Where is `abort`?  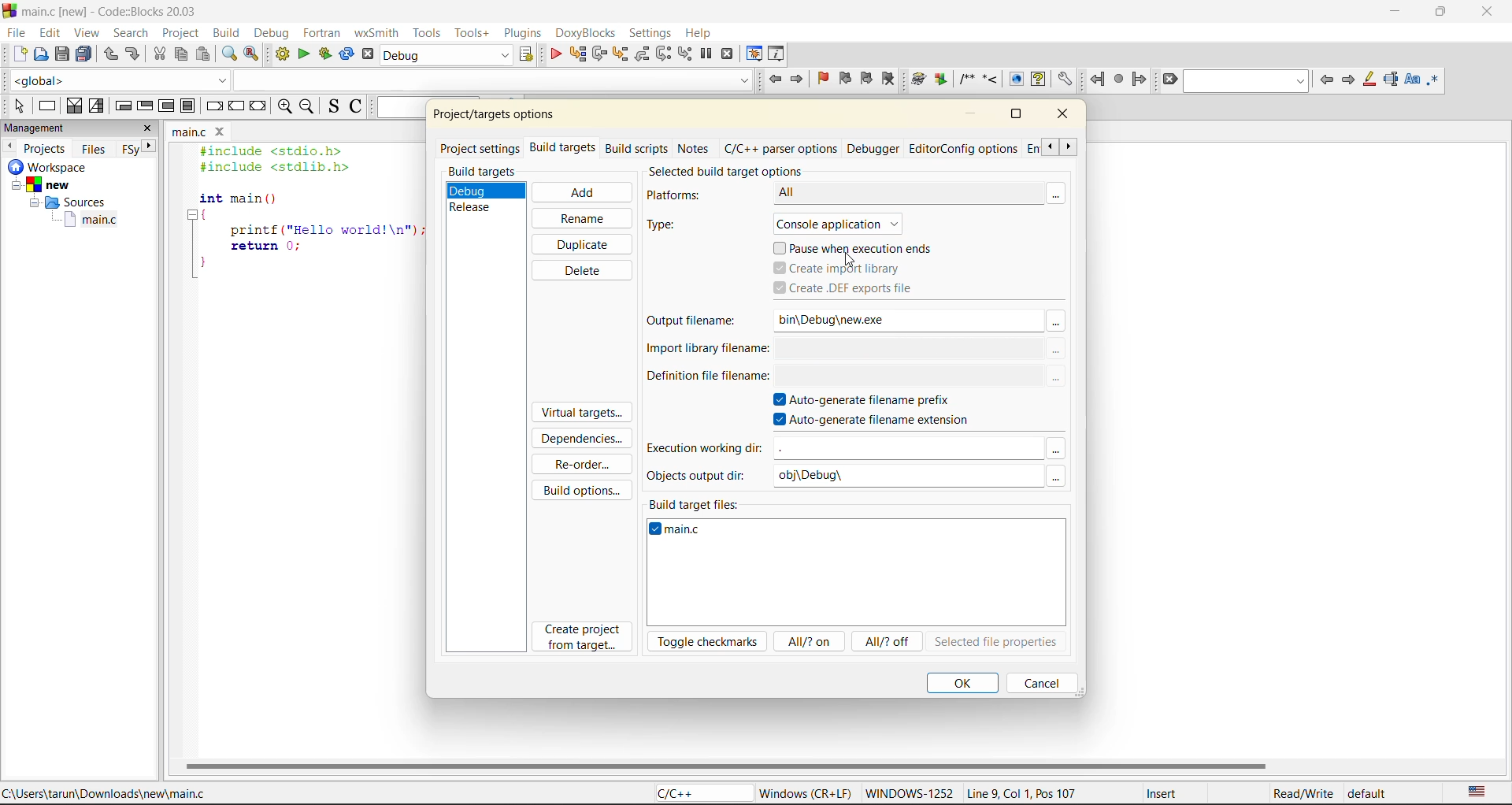 abort is located at coordinates (367, 55).